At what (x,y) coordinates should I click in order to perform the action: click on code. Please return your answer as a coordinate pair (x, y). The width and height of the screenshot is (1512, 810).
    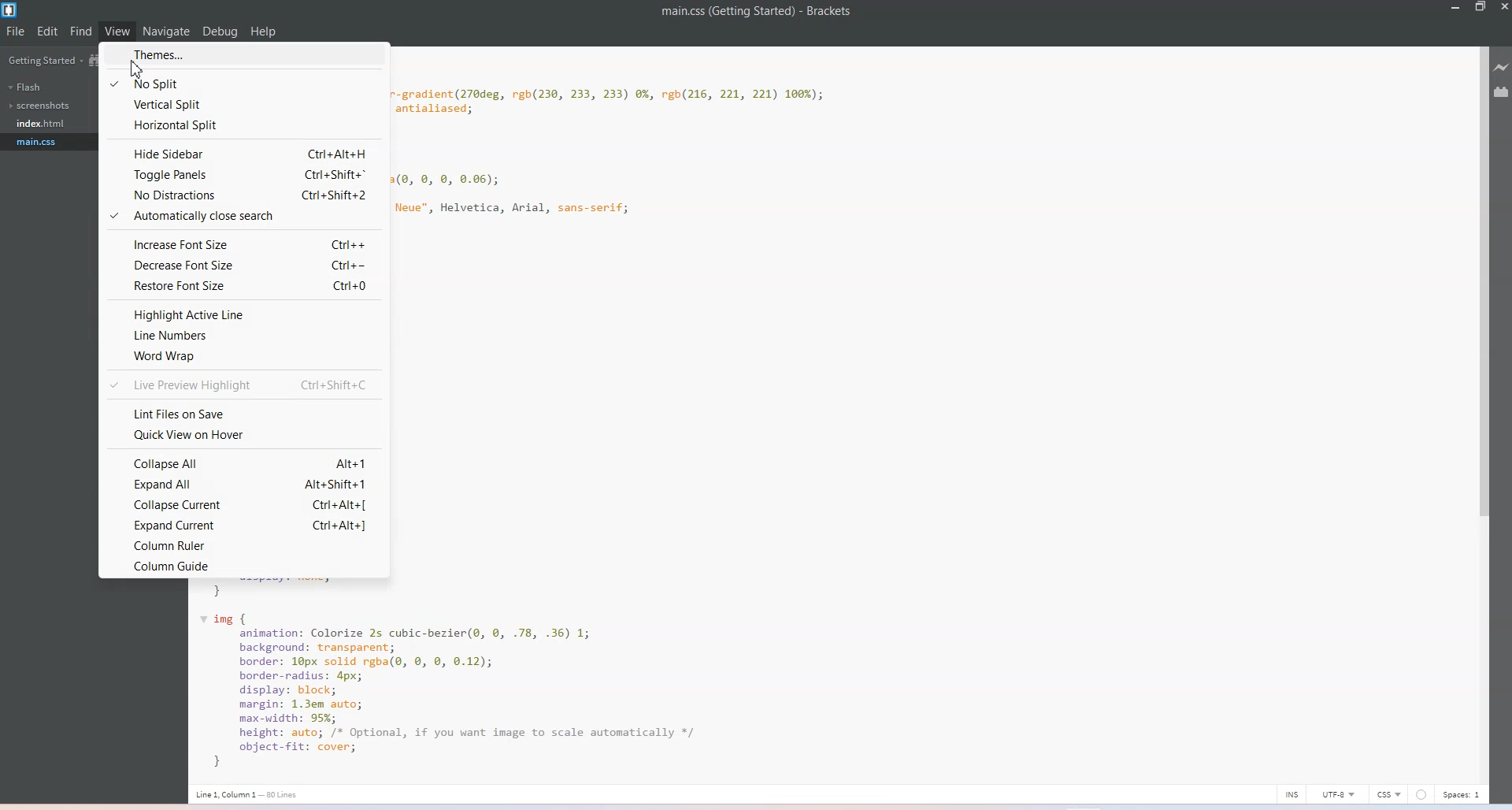
    Looking at the image, I should click on (491, 678).